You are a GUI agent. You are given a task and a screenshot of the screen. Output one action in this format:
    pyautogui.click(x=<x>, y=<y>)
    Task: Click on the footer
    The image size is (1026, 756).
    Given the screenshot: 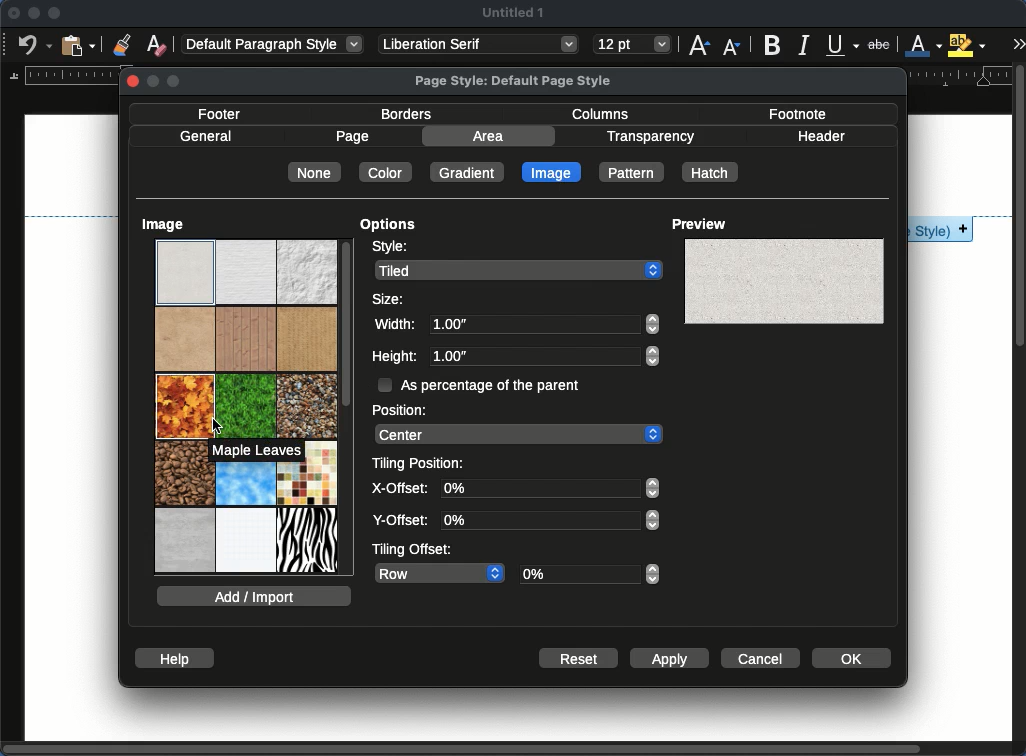 What is the action you would take?
    pyautogui.click(x=222, y=115)
    